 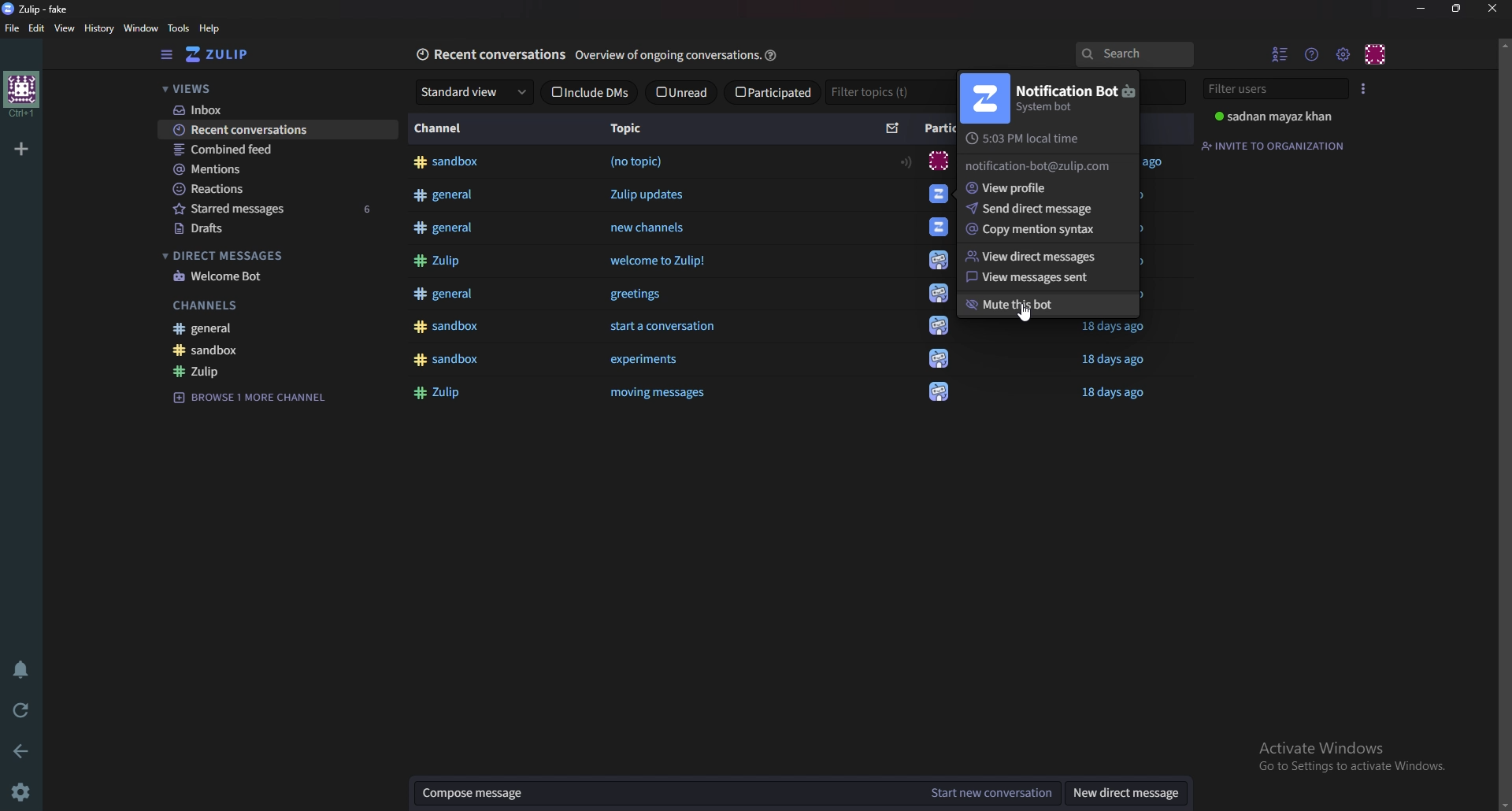 I want to click on search, so click(x=1133, y=54).